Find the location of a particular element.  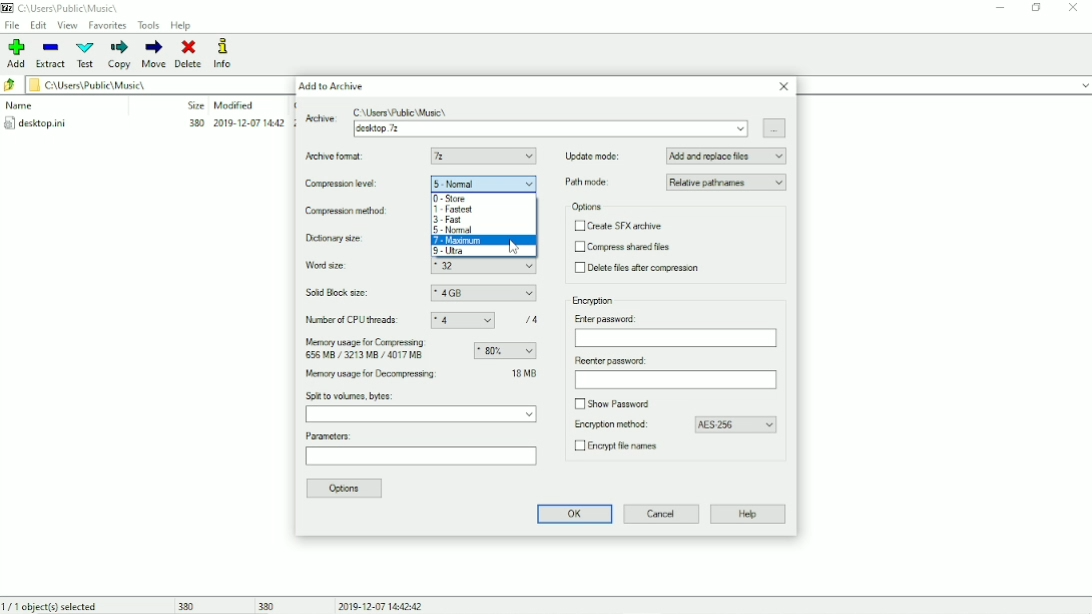

Tools is located at coordinates (149, 26).